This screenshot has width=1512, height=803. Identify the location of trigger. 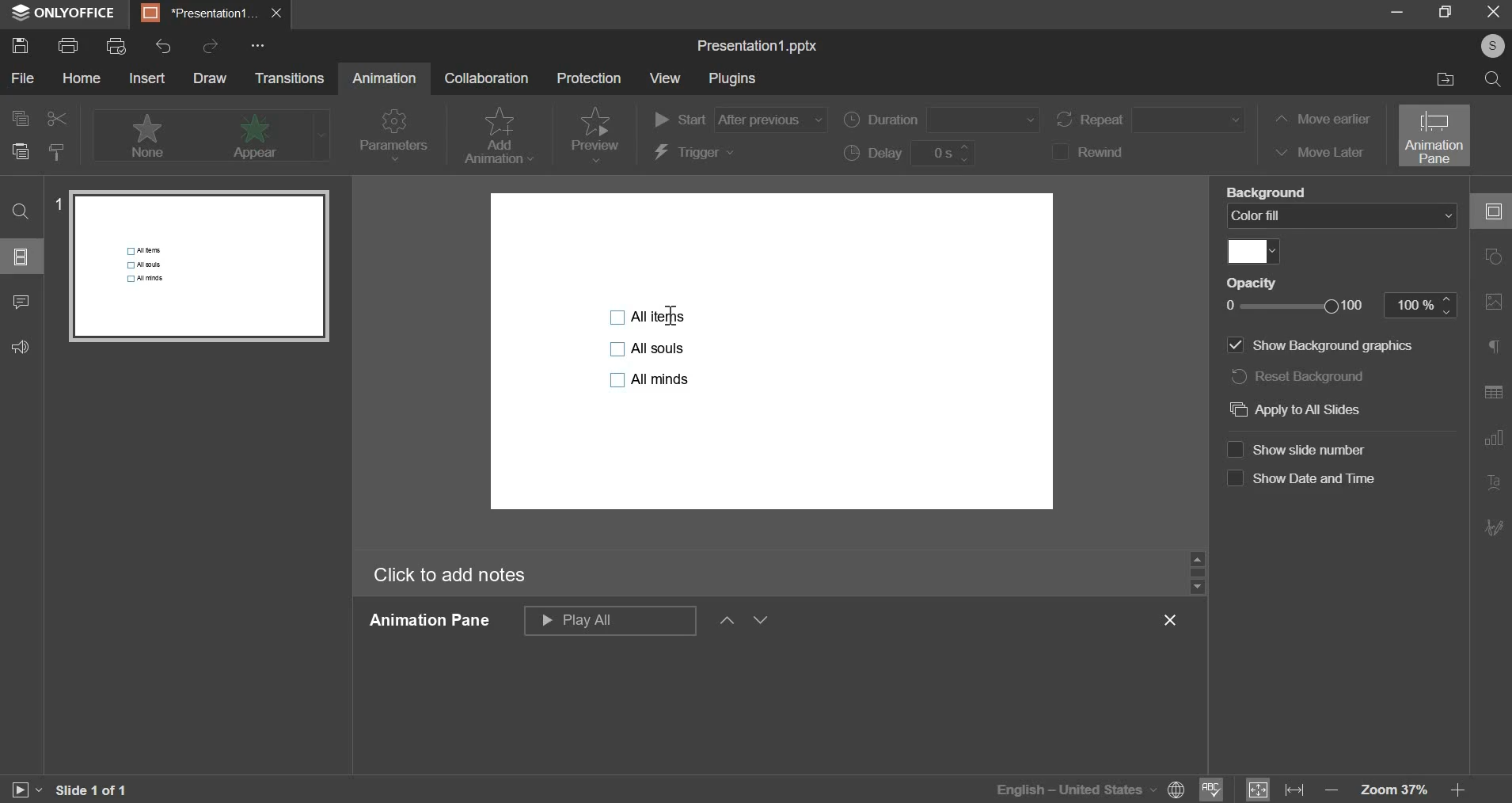
(695, 154).